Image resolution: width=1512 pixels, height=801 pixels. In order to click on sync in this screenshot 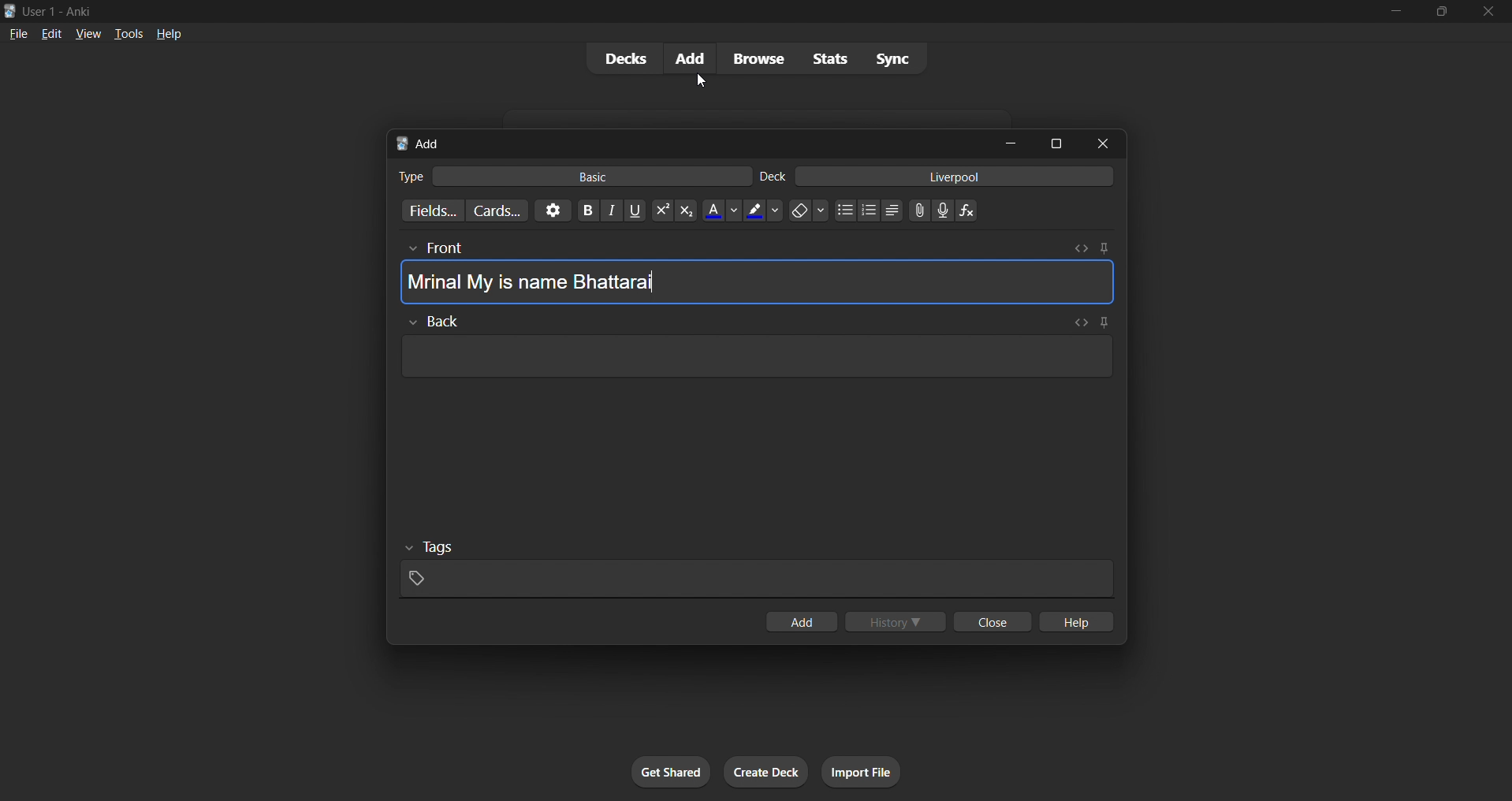, I will do `click(888, 59)`.